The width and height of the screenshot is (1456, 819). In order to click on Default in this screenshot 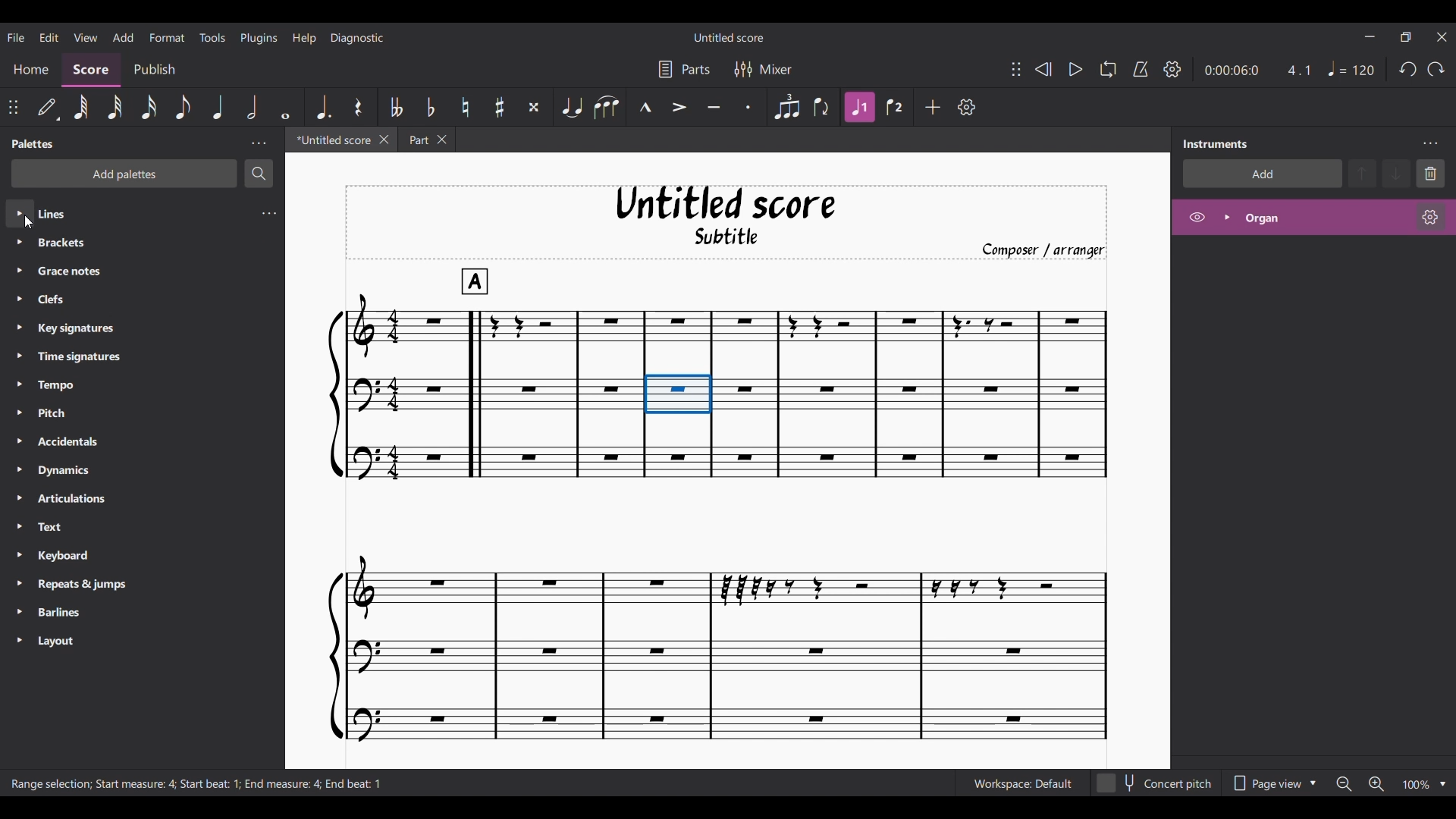, I will do `click(48, 107)`.